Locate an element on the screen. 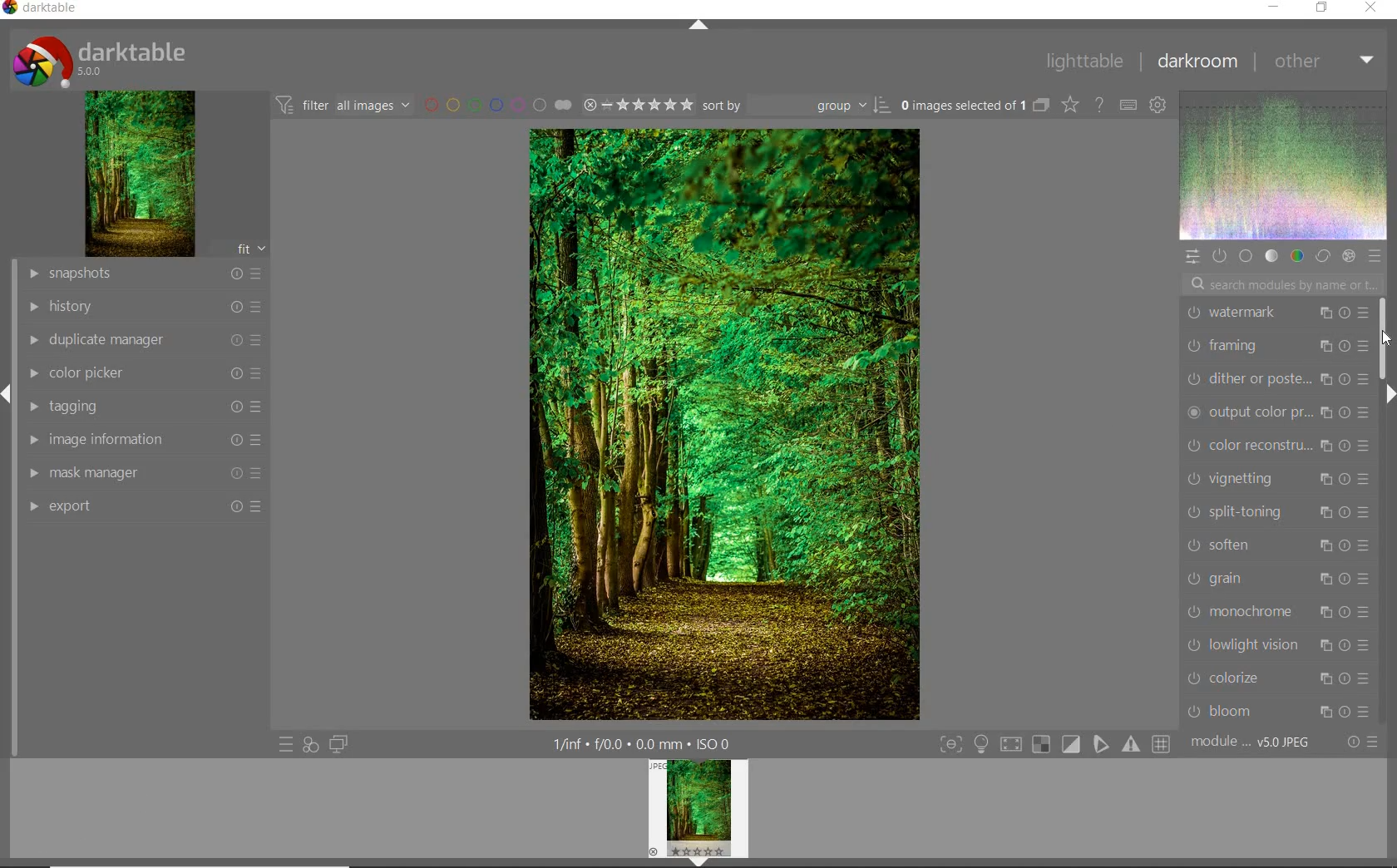 The width and height of the screenshot is (1397, 868). VIGNETTING is located at coordinates (1281, 478).